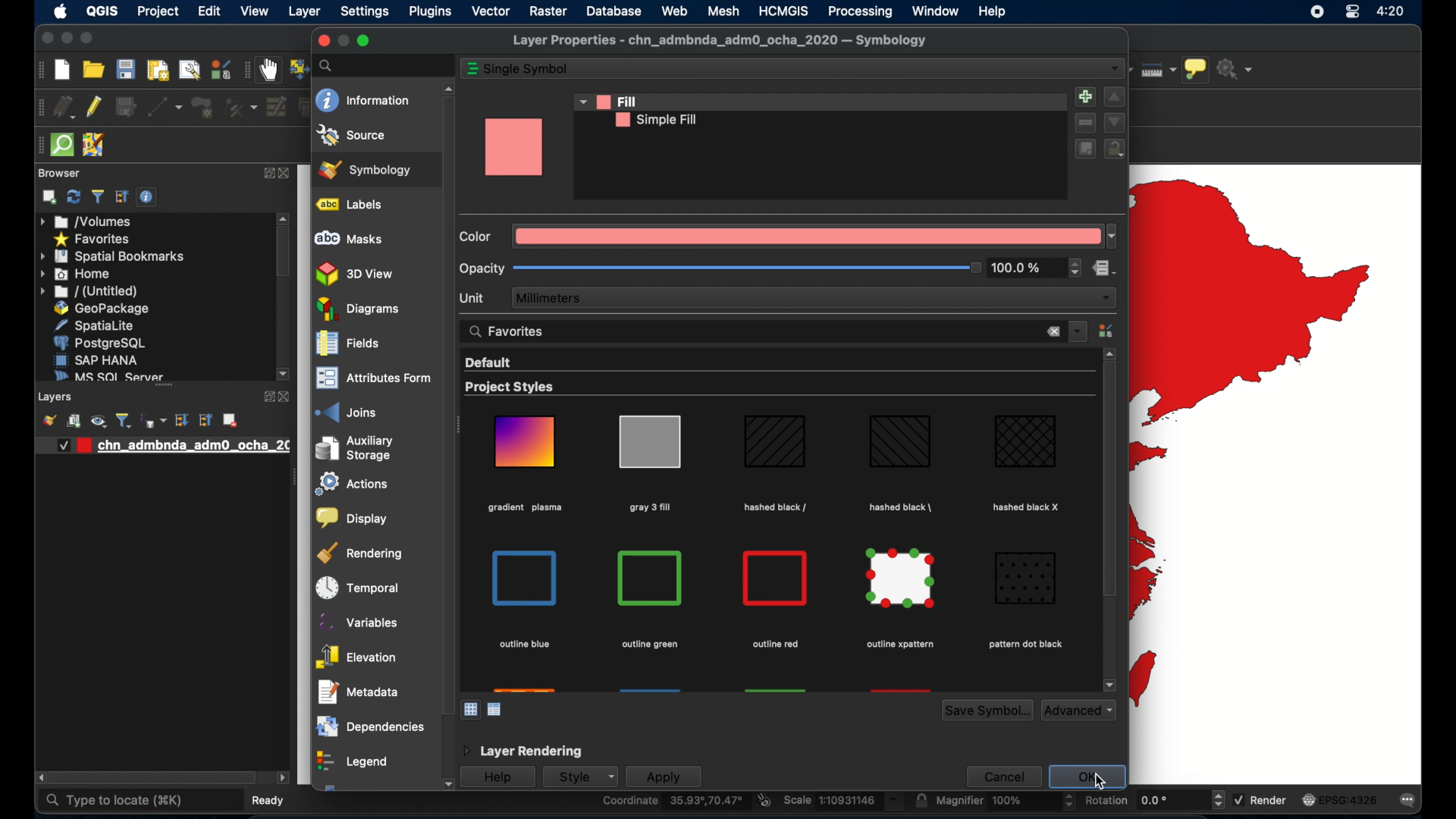 The image size is (1456, 819). What do you see at coordinates (369, 726) in the screenshot?
I see `dependencies` at bounding box center [369, 726].